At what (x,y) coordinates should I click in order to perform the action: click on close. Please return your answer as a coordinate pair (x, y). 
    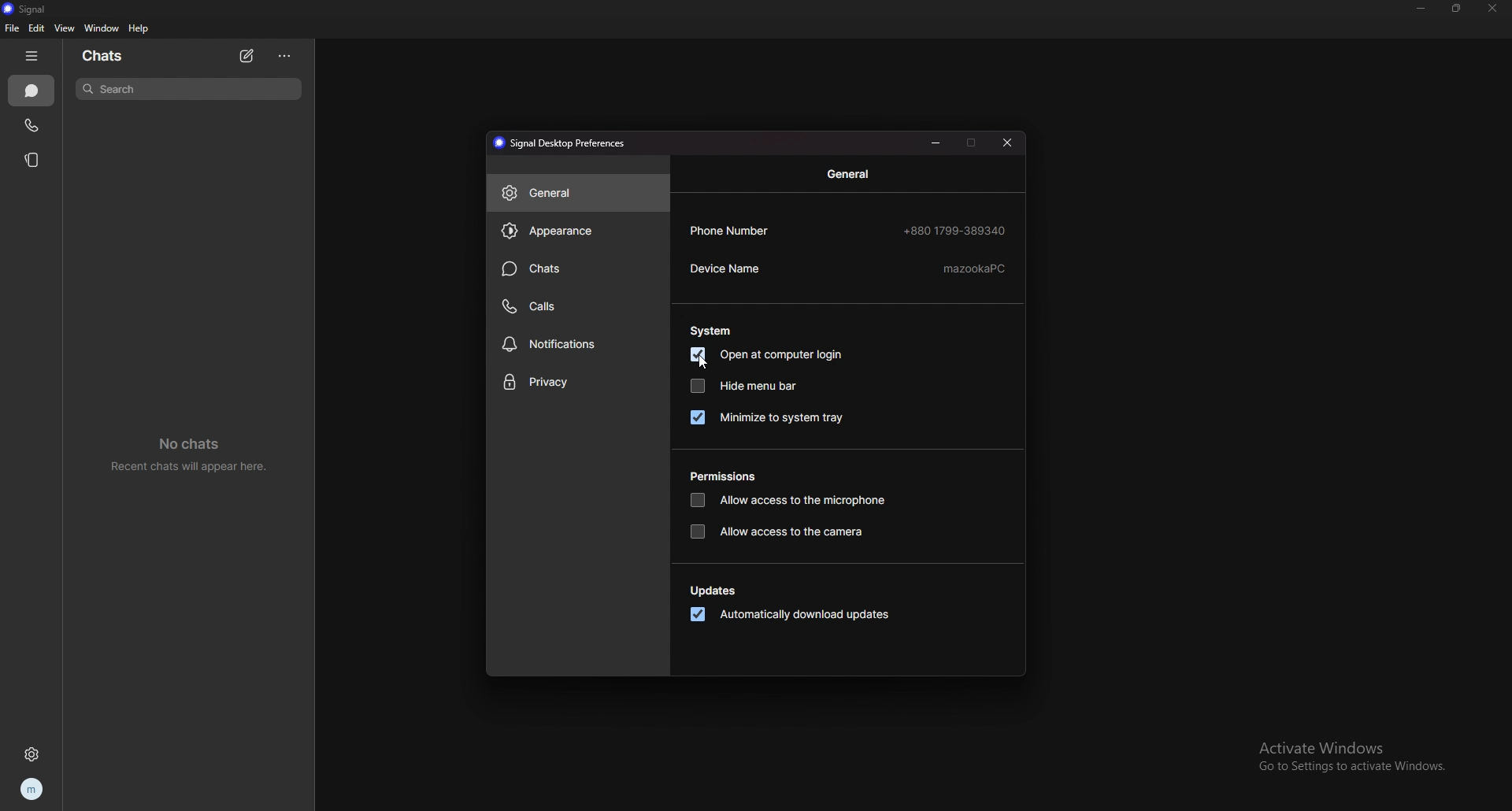
    Looking at the image, I should click on (1007, 143).